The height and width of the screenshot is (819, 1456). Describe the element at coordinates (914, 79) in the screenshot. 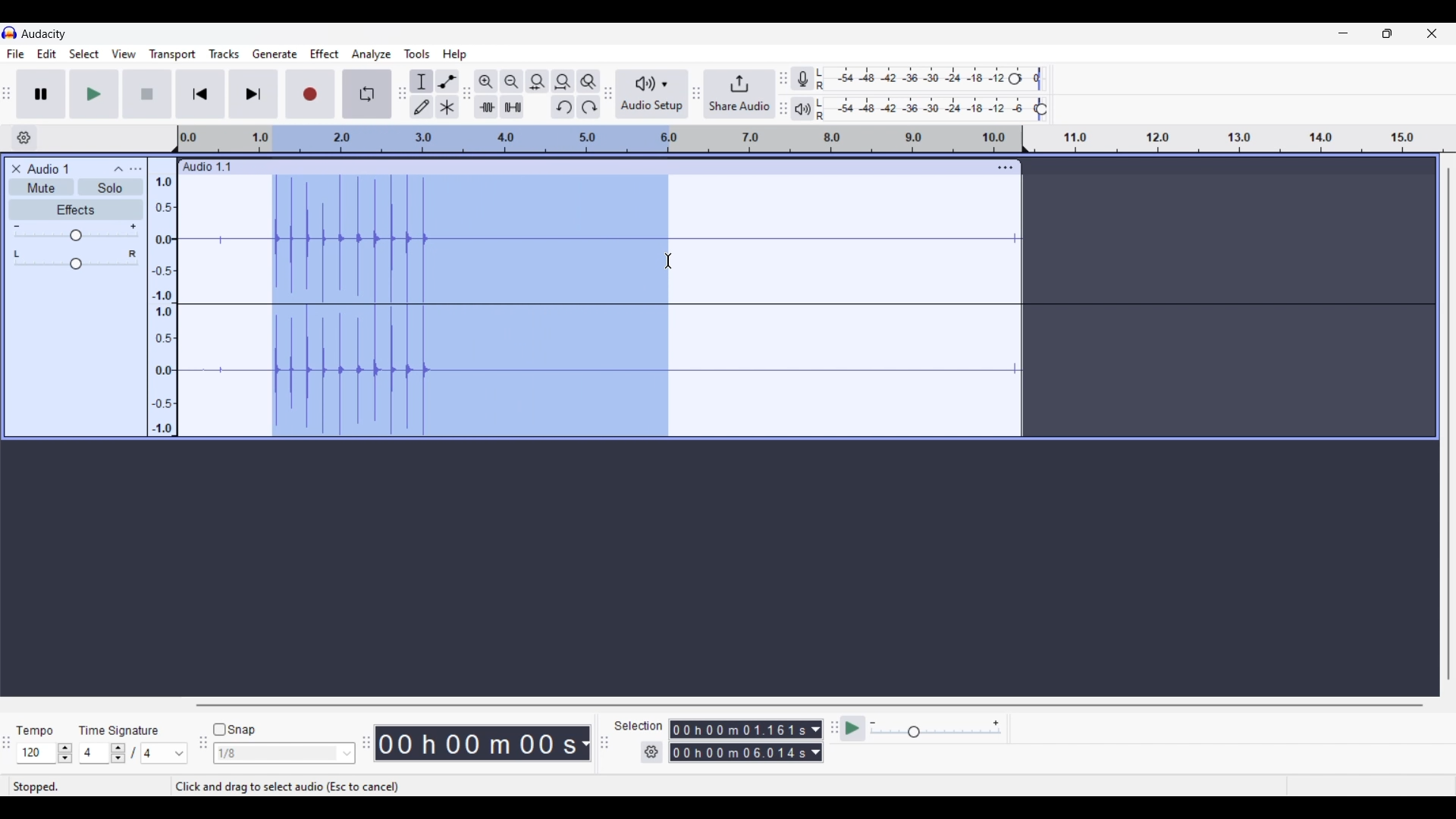

I see `Recording level` at that location.